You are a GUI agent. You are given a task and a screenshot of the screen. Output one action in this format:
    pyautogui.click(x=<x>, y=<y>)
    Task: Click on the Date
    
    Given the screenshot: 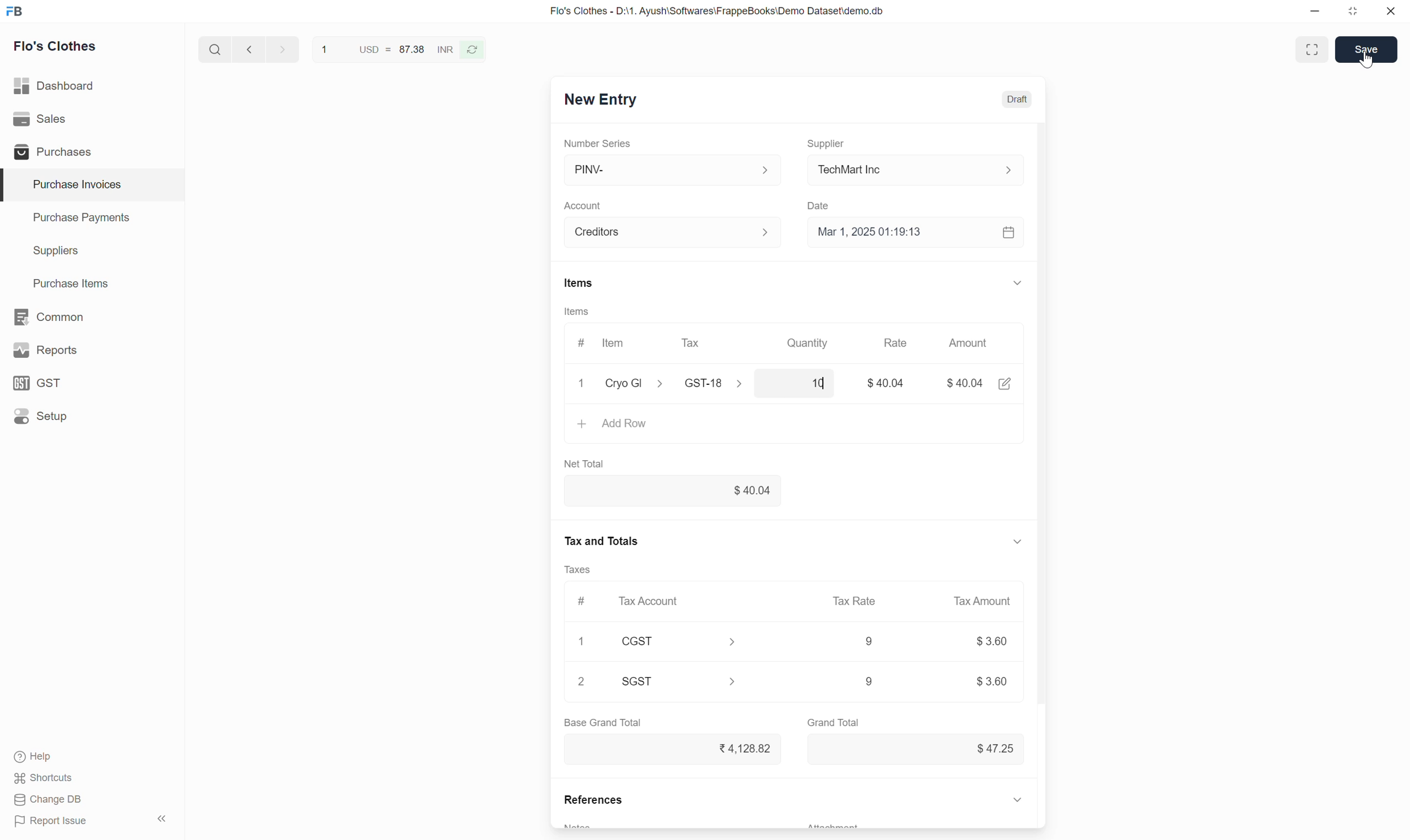 What is the action you would take?
    pyautogui.click(x=824, y=203)
    